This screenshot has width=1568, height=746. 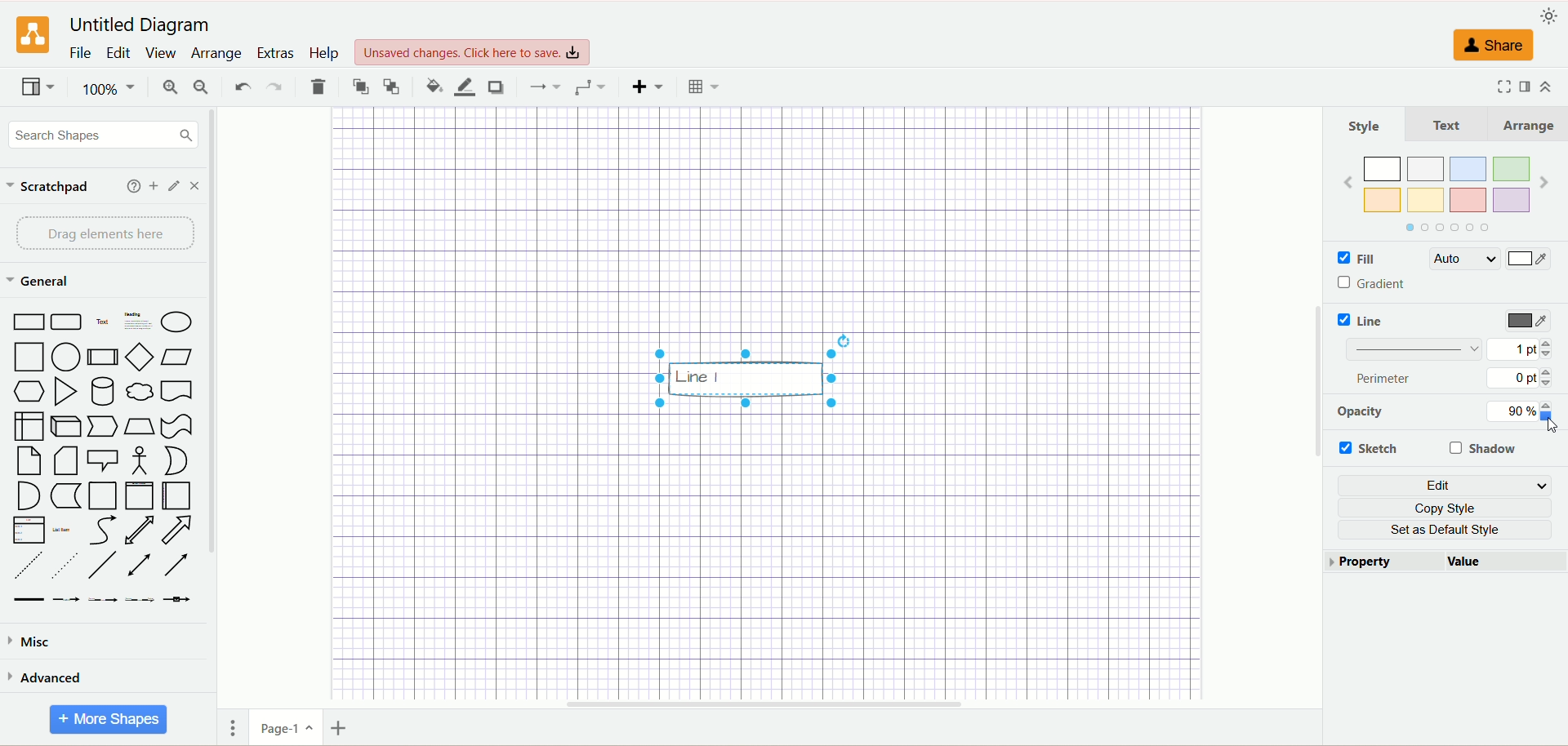 I want to click on general, so click(x=40, y=280).